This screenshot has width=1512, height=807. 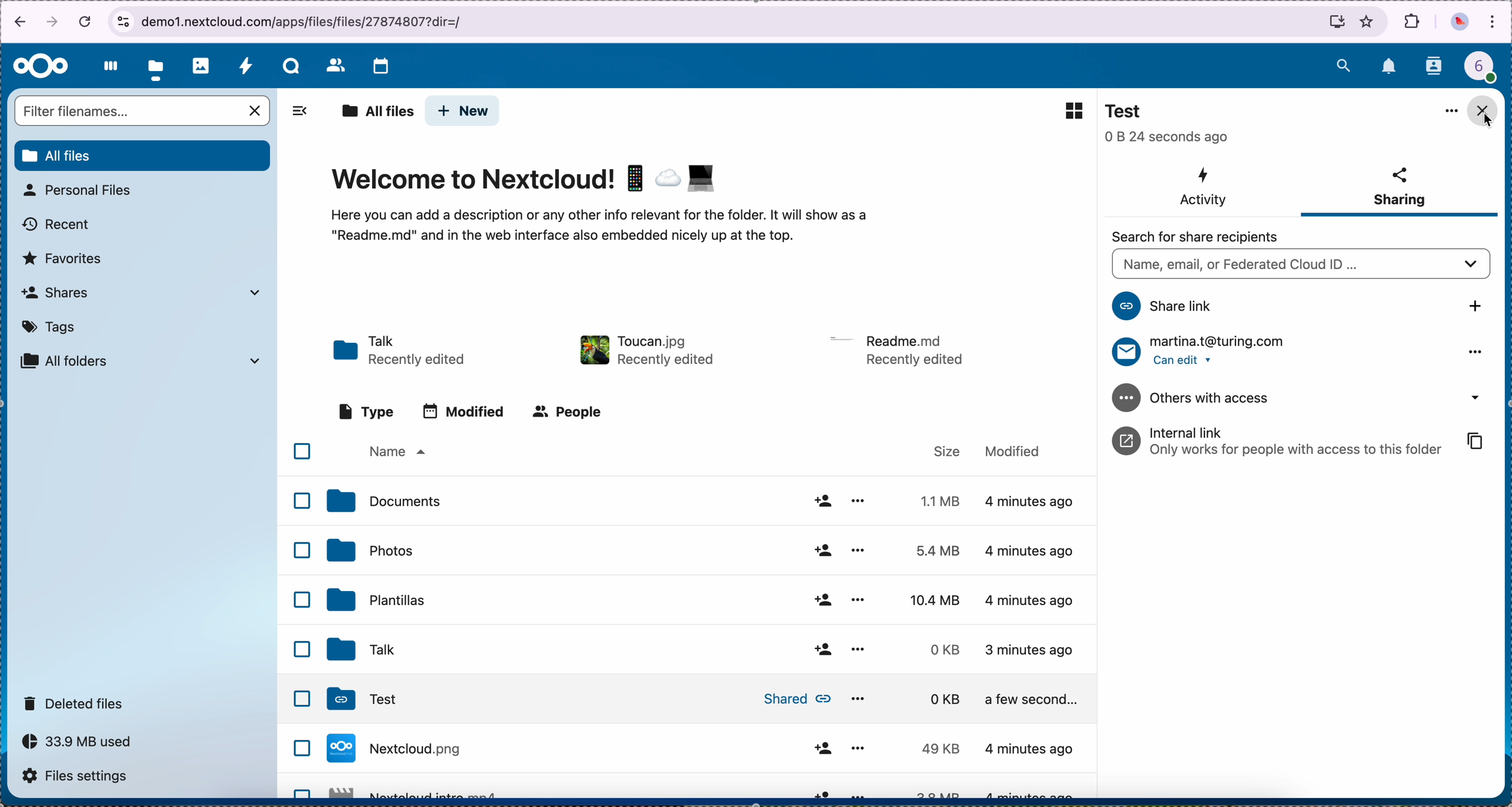 What do you see at coordinates (1300, 442) in the screenshot?
I see `internal link` at bounding box center [1300, 442].